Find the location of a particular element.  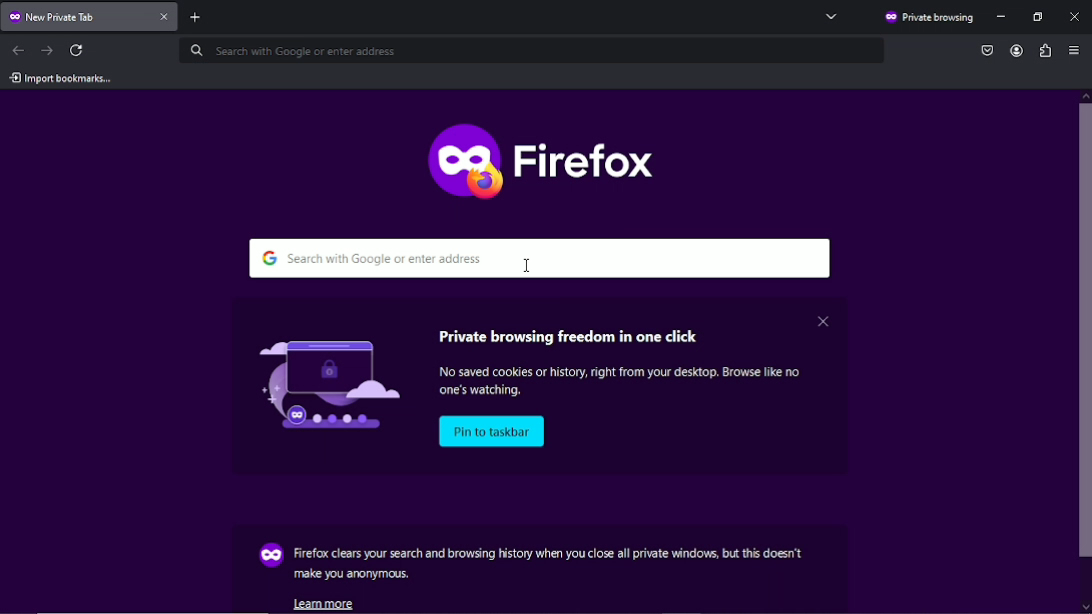

firefox is located at coordinates (544, 157).